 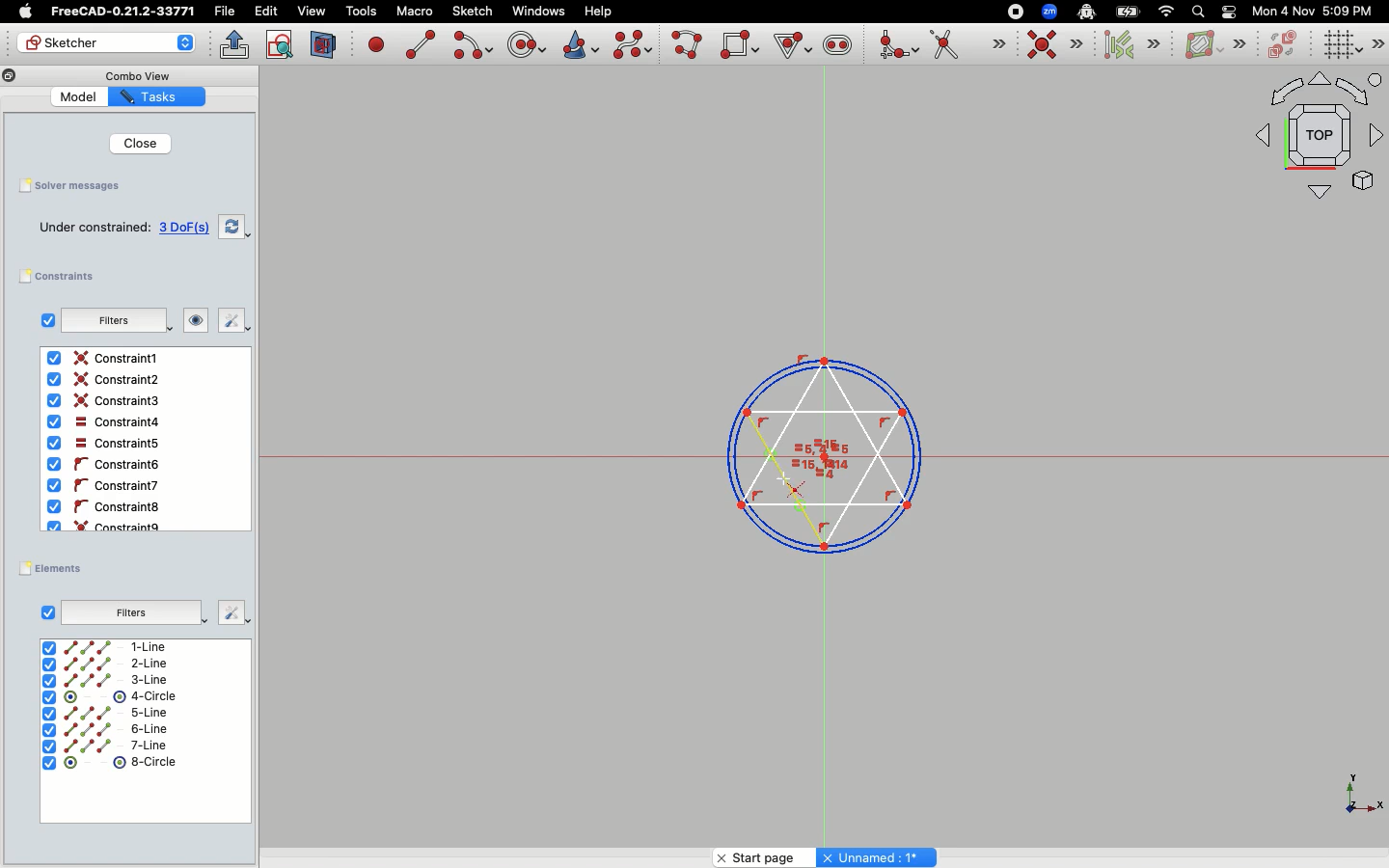 What do you see at coordinates (1376, 43) in the screenshot?
I see `Sketch editor tools` at bounding box center [1376, 43].